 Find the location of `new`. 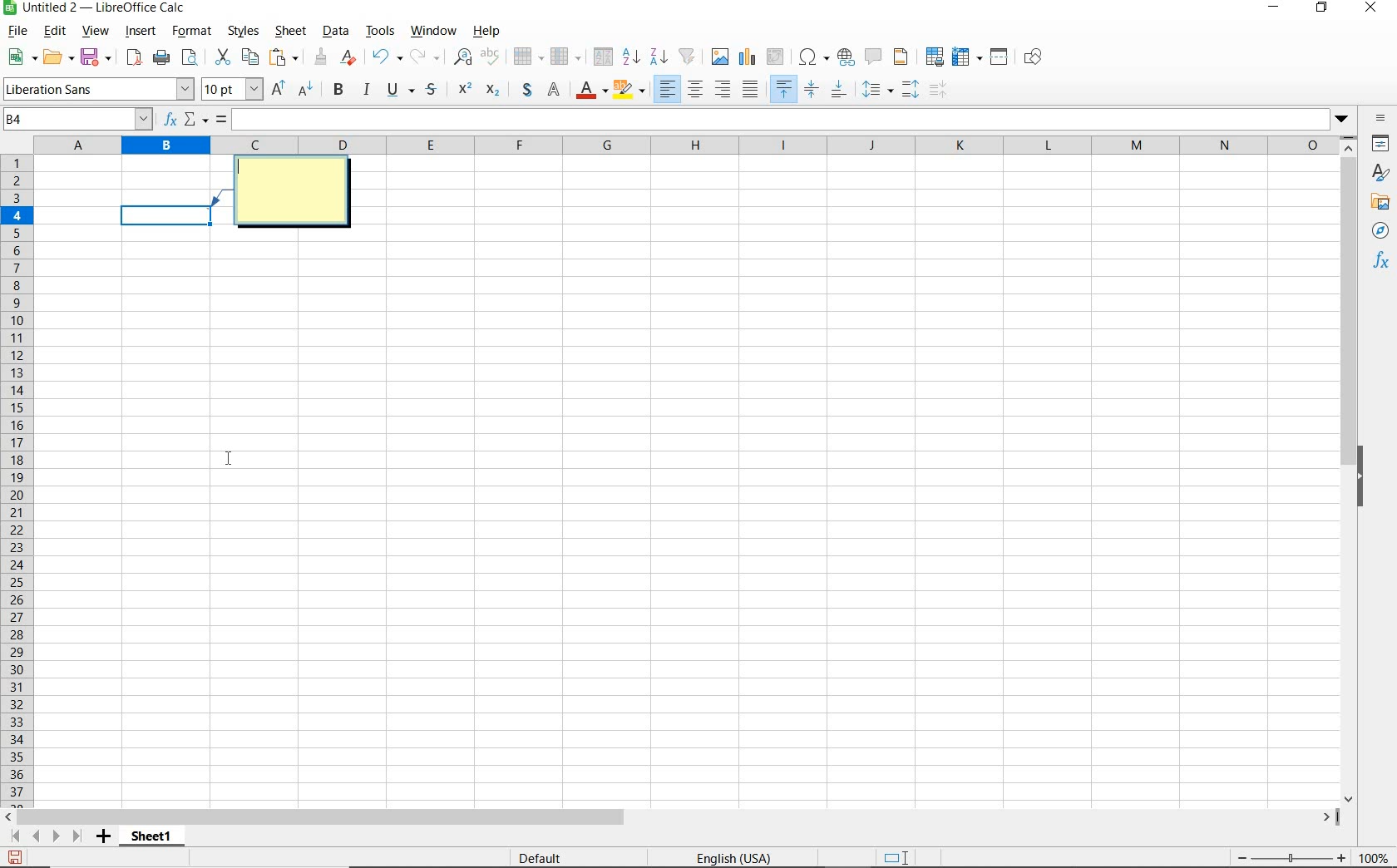

new is located at coordinates (22, 58).